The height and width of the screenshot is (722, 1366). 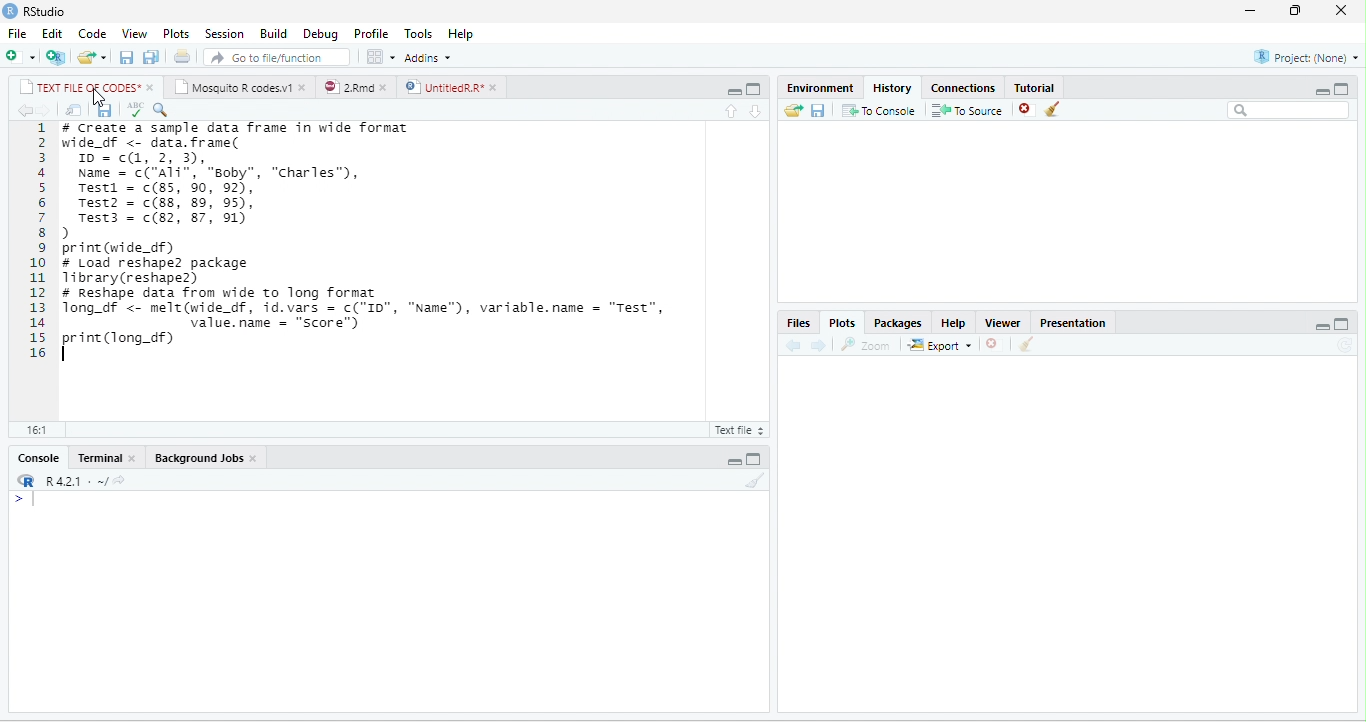 I want to click on logo, so click(x=11, y=10).